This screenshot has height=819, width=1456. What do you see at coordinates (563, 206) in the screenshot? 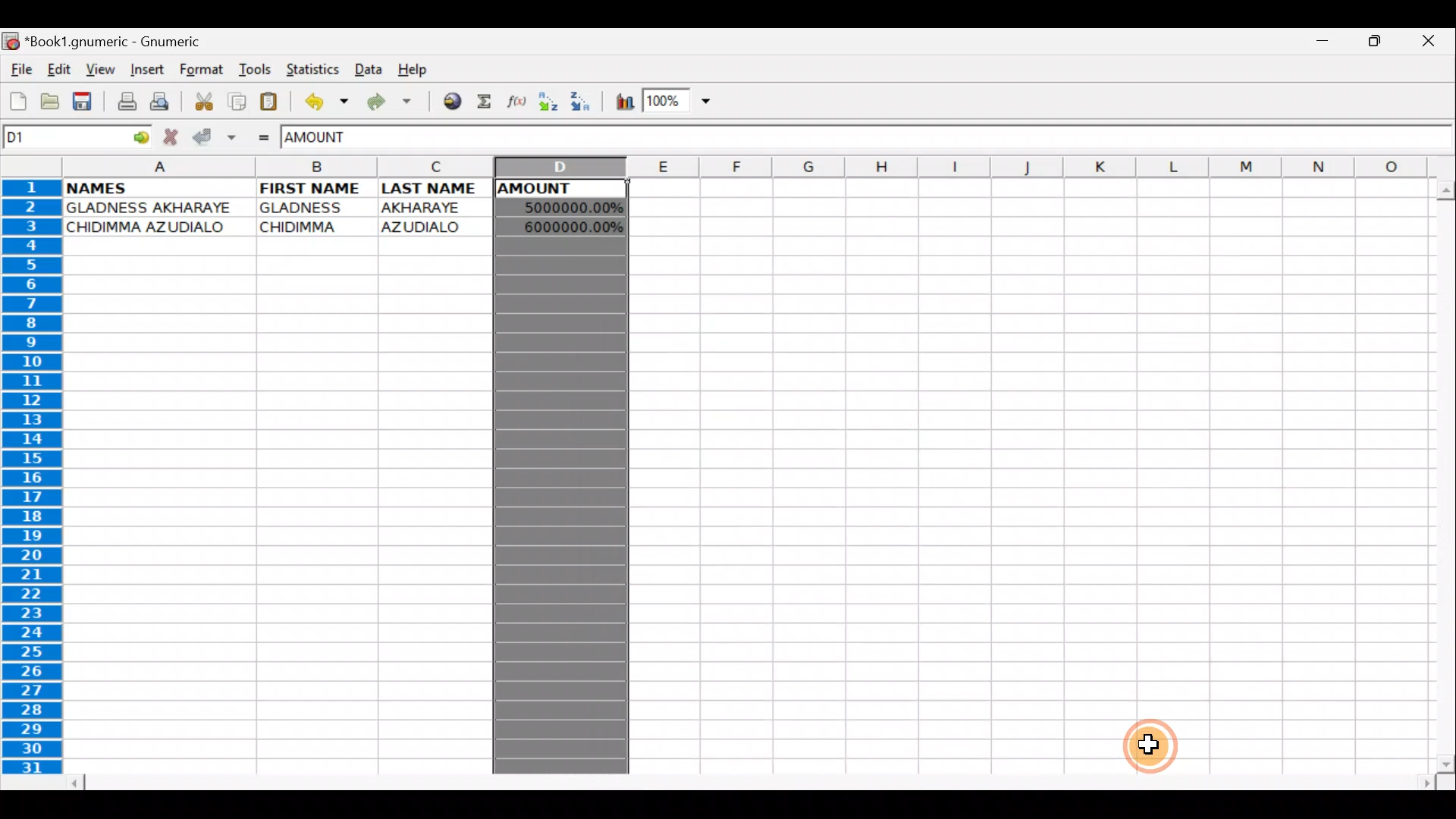
I see `5000000.00%` at bounding box center [563, 206].